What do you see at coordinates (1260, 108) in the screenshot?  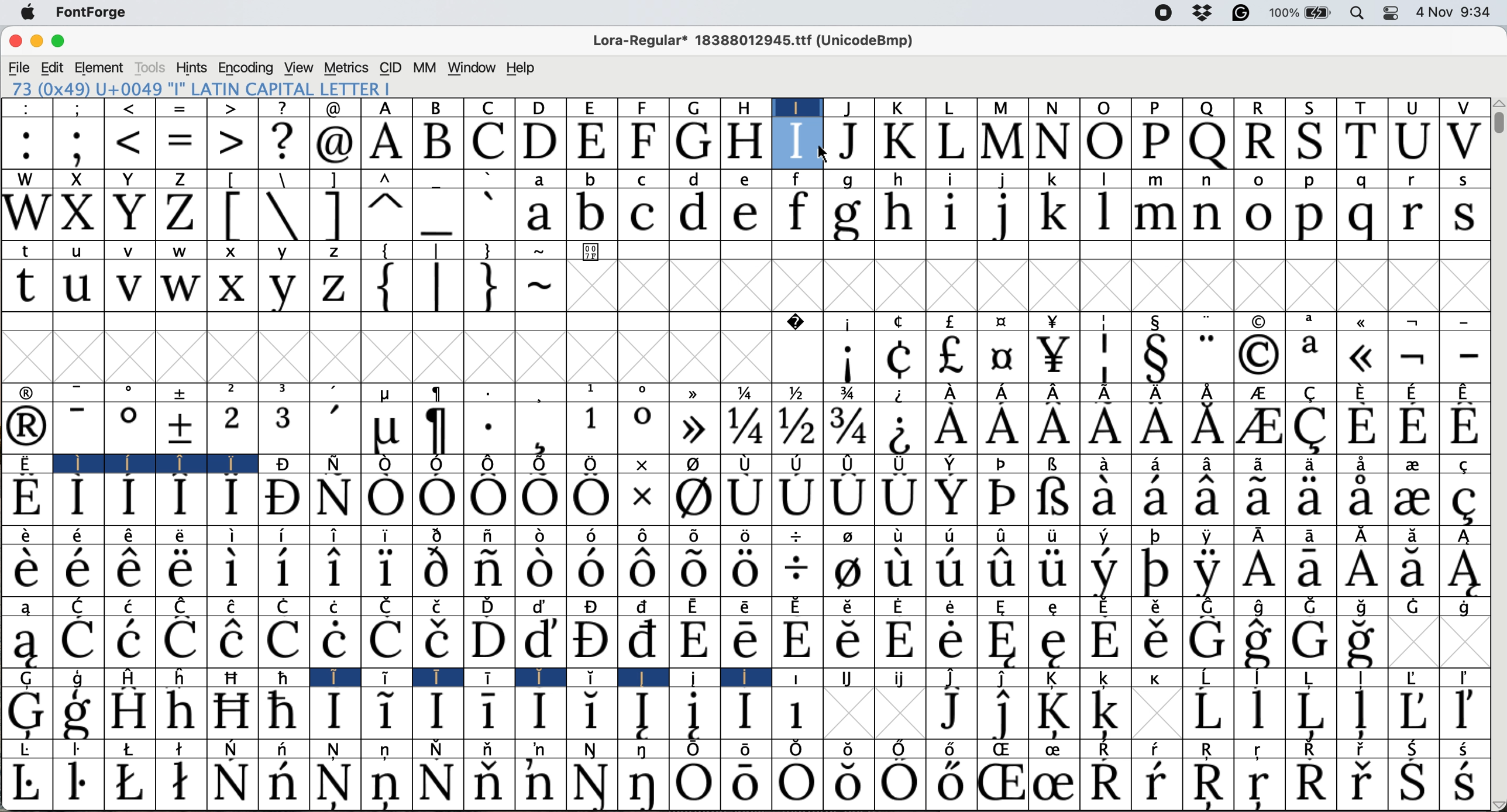 I see `R` at bounding box center [1260, 108].